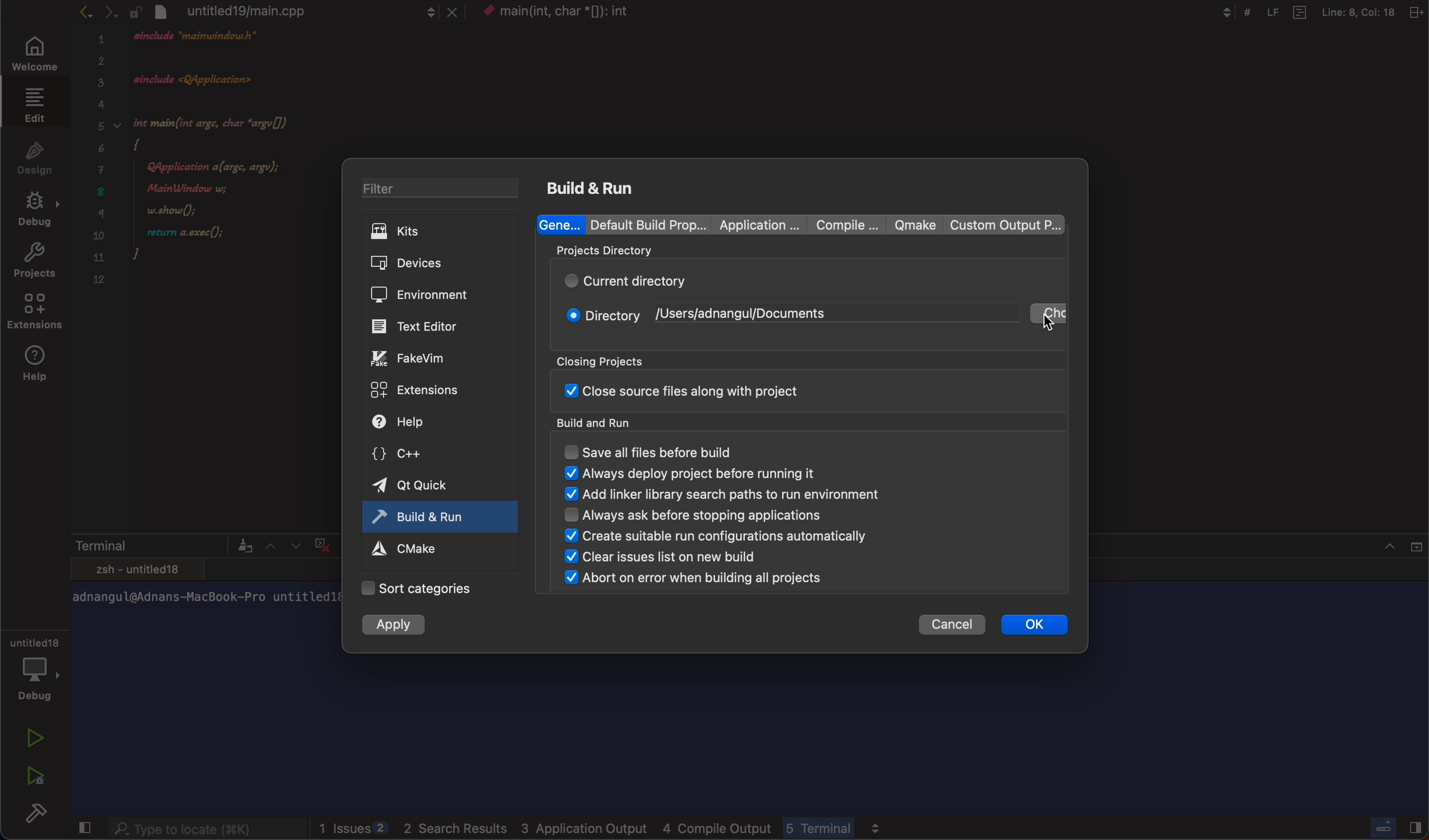 The image size is (1429, 840). What do you see at coordinates (437, 588) in the screenshot?
I see `categories` at bounding box center [437, 588].